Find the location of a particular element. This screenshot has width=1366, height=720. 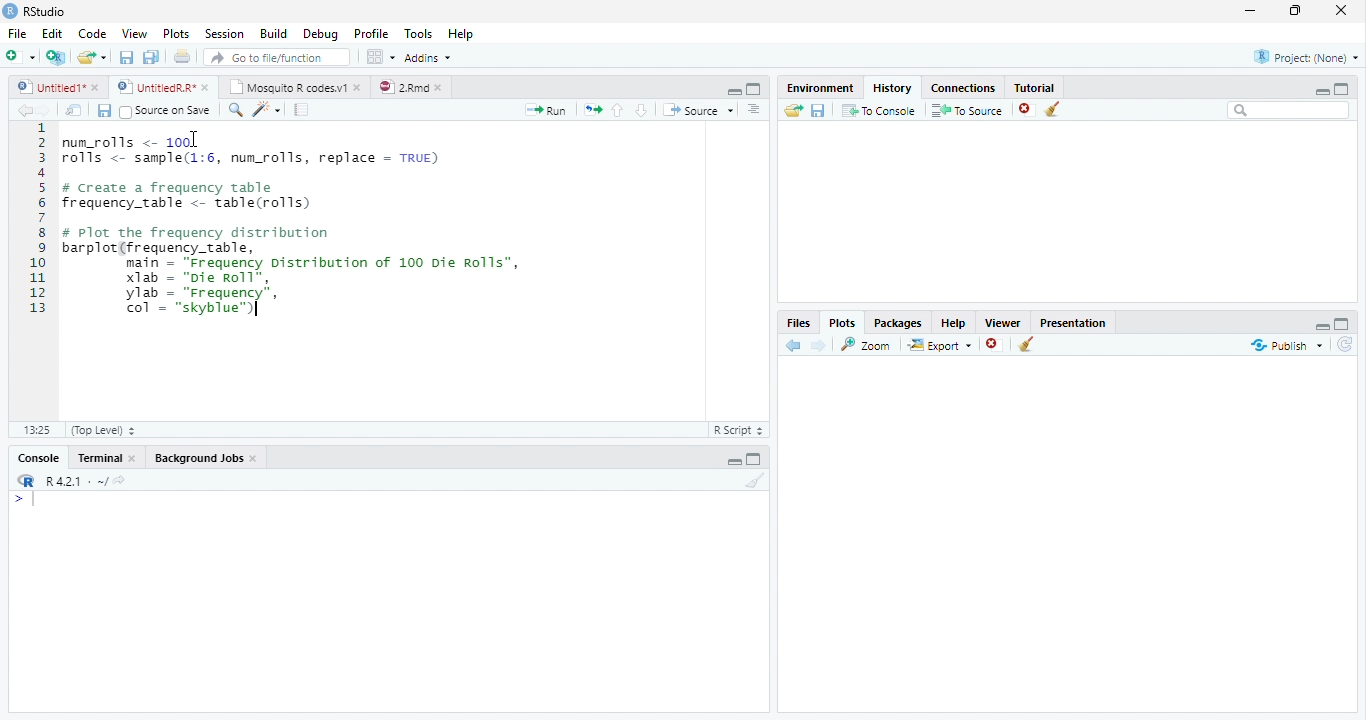

Maximize is located at coordinates (1296, 11).